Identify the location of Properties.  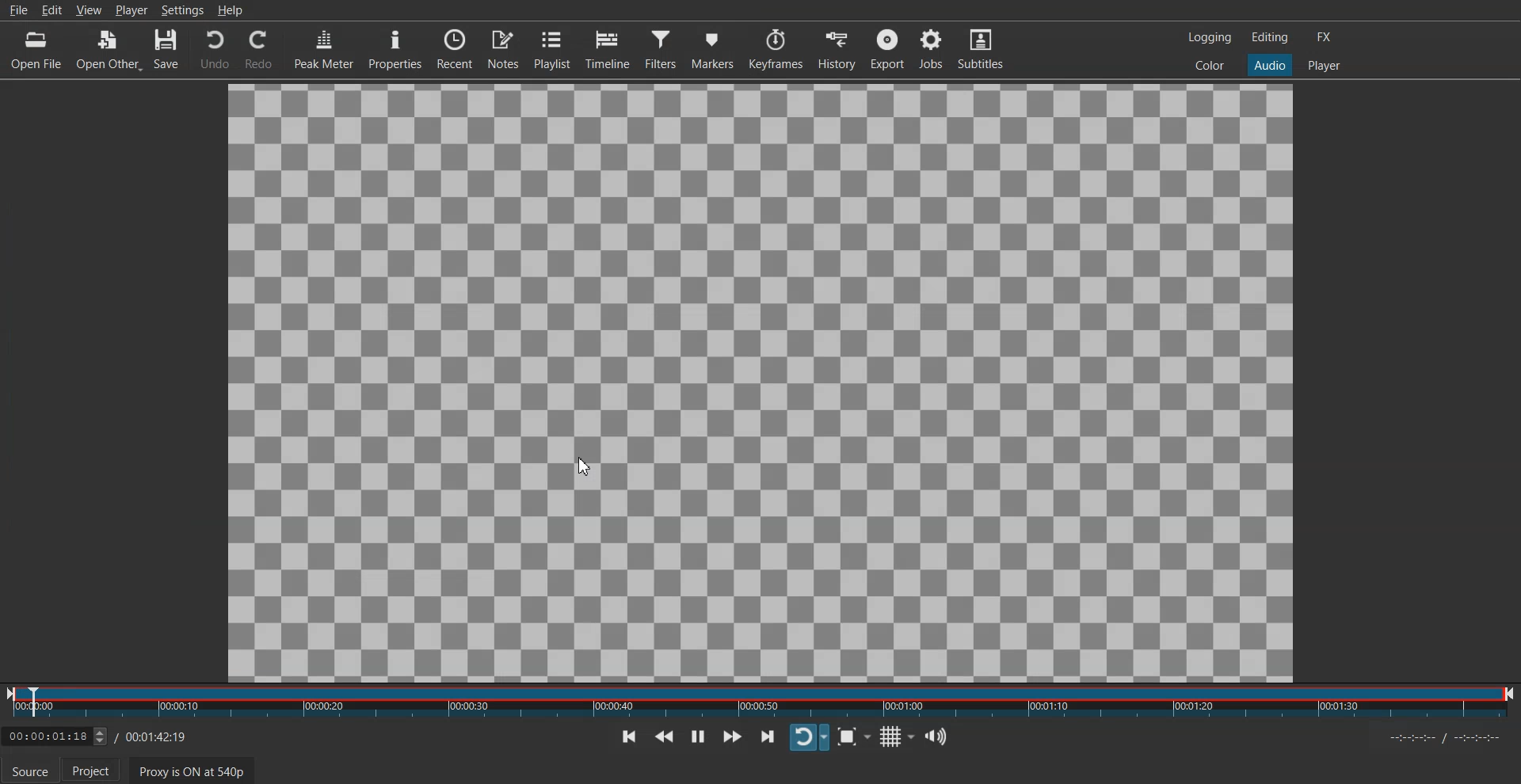
(394, 48).